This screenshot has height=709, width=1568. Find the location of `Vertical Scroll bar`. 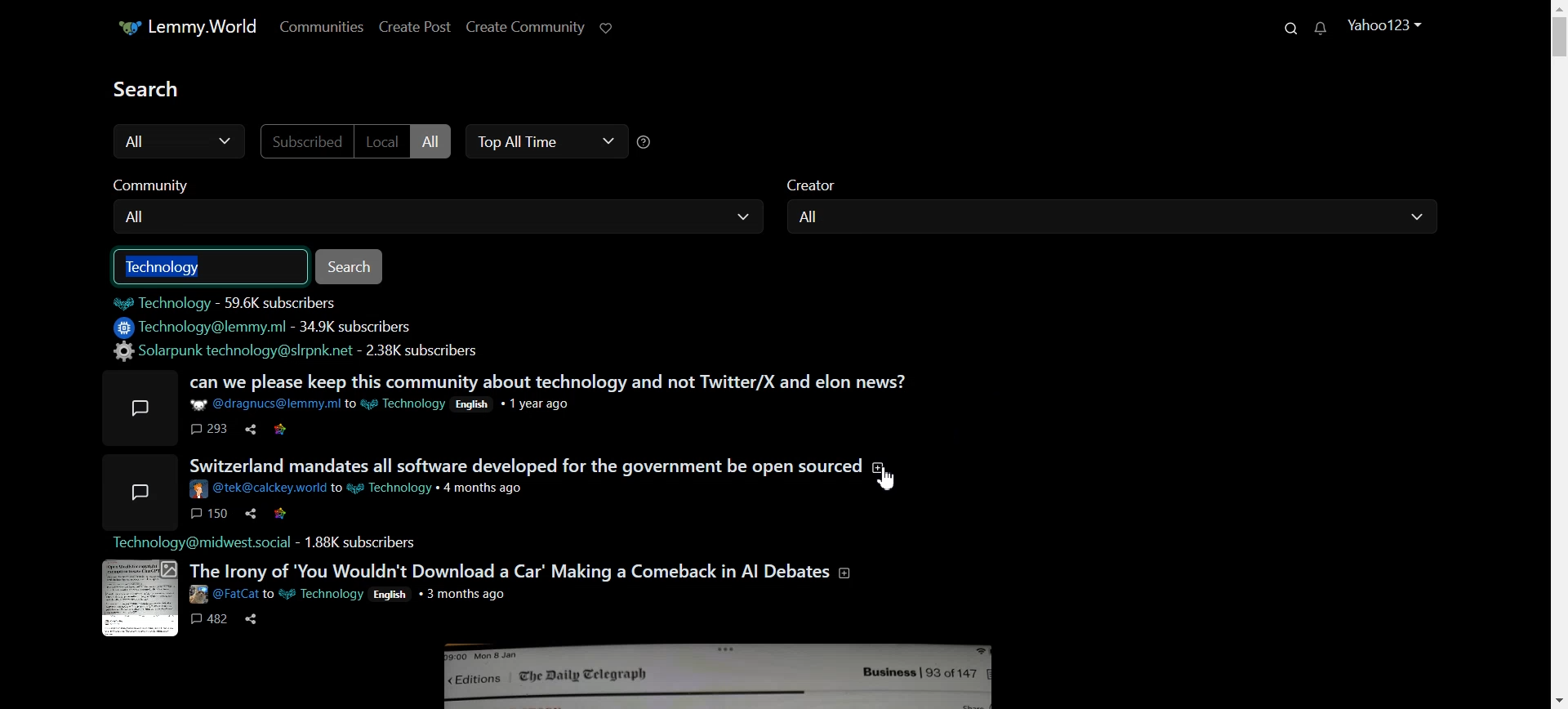

Vertical Scroll bar is located at coordinates (1558, 354).